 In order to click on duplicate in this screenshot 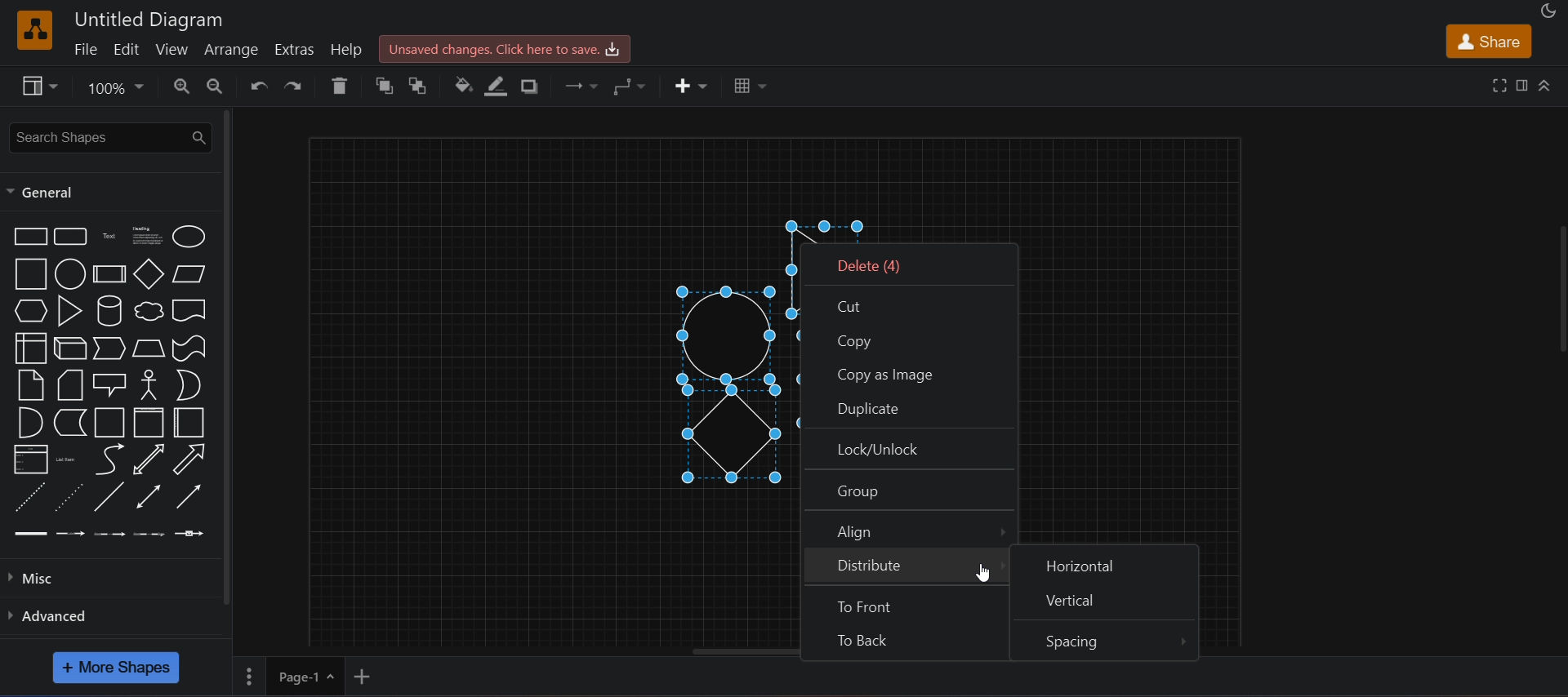, I will do `click(906, 407)`.